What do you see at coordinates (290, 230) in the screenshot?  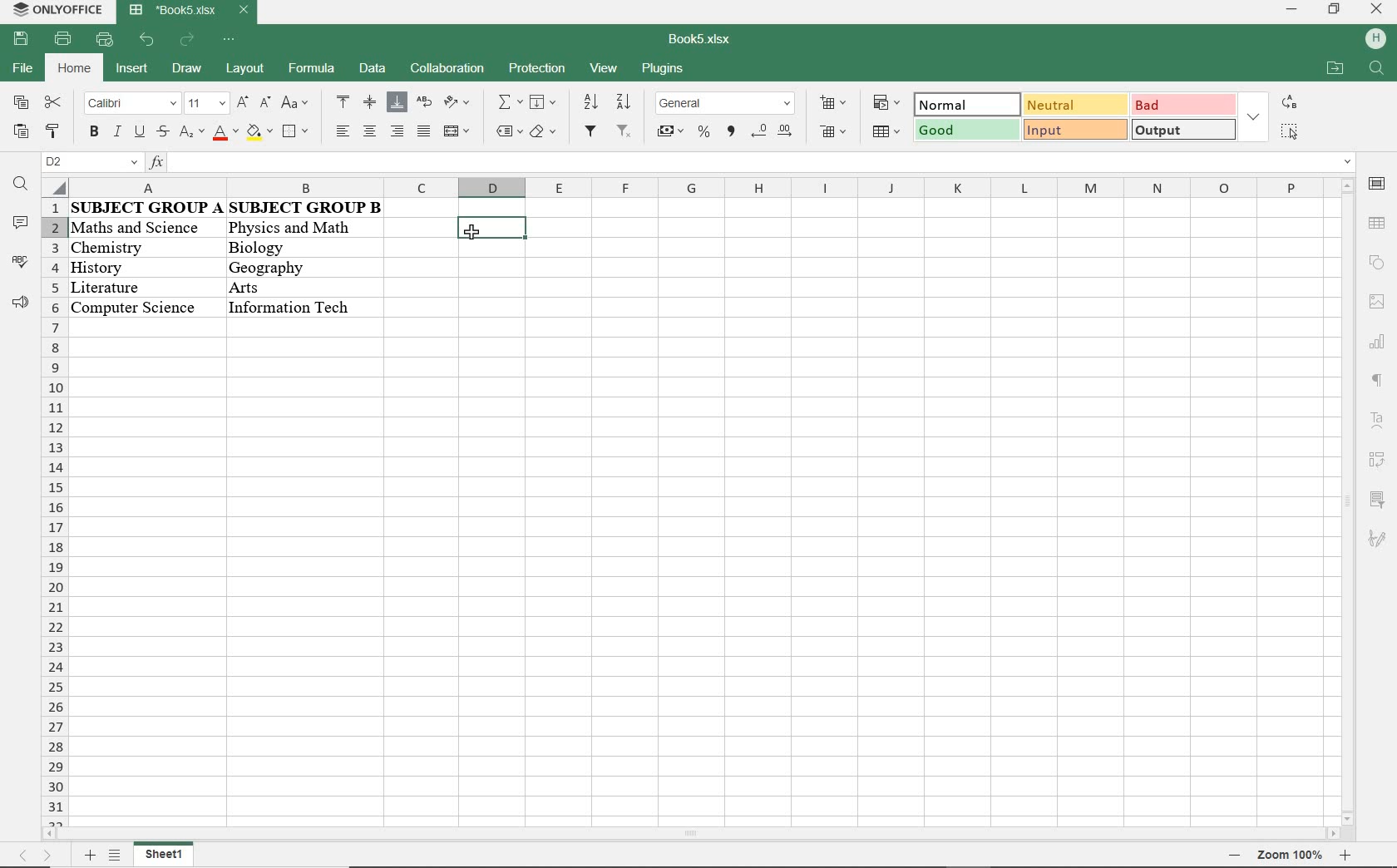 I see `physics and math` at bounding box center [290, 230].